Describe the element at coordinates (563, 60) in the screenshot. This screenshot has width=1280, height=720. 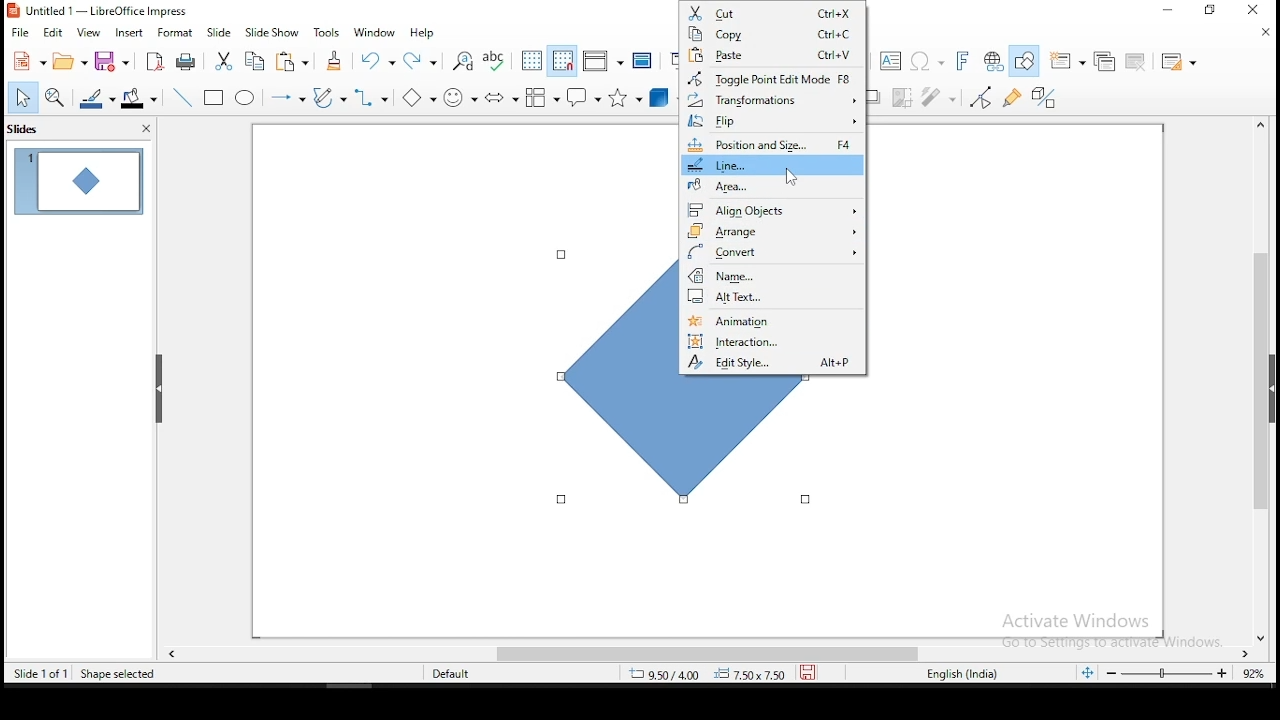
I see `snap to grid` at that location.